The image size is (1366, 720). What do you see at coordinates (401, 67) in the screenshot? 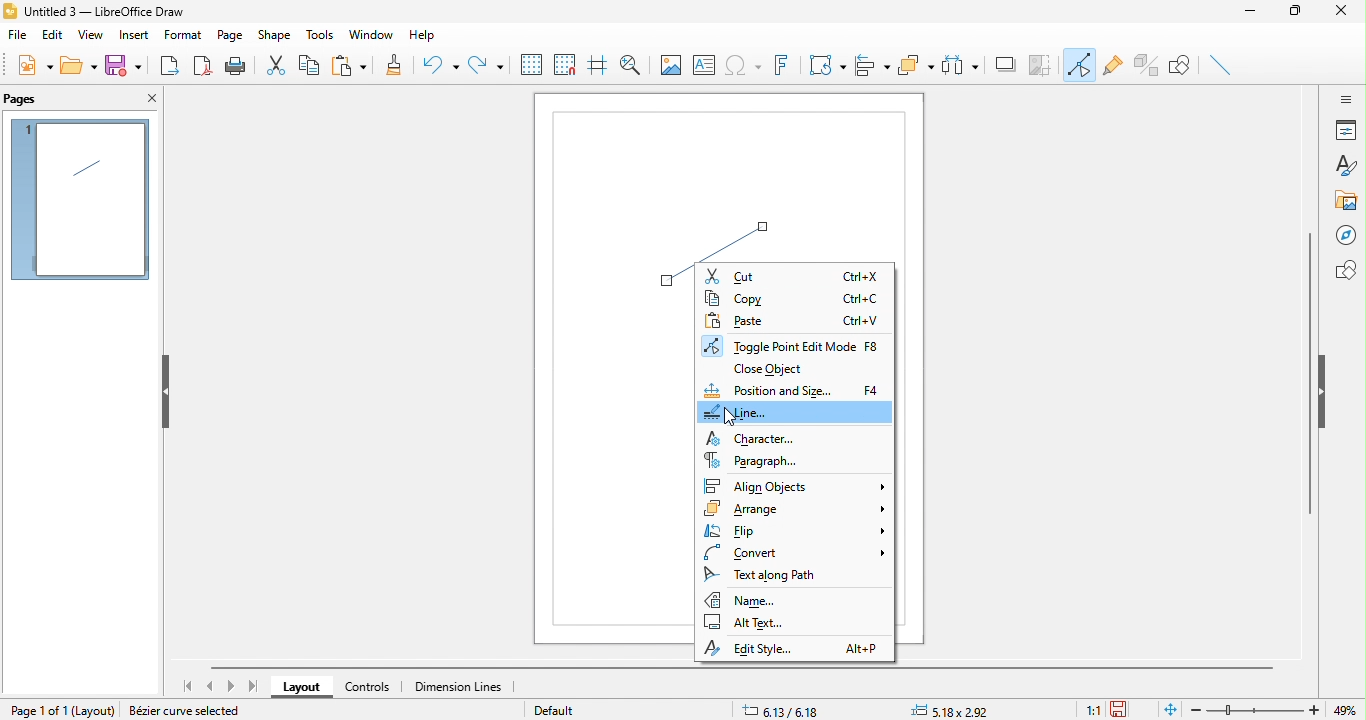
I see `clone formatting` at bounding box center [401, 67].